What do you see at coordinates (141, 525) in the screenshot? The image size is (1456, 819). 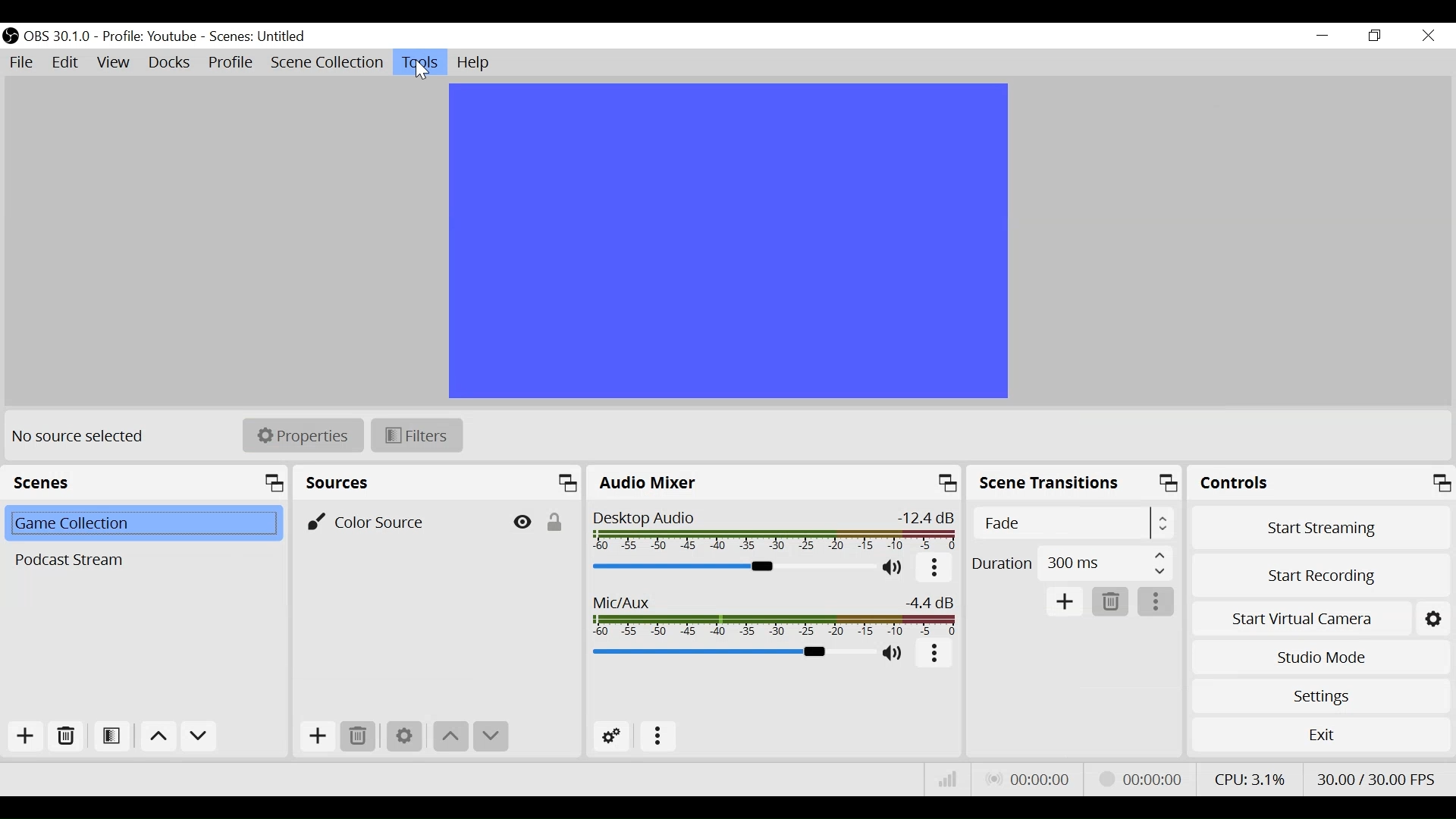 I see `Scene` at bounding box center [141, 525].